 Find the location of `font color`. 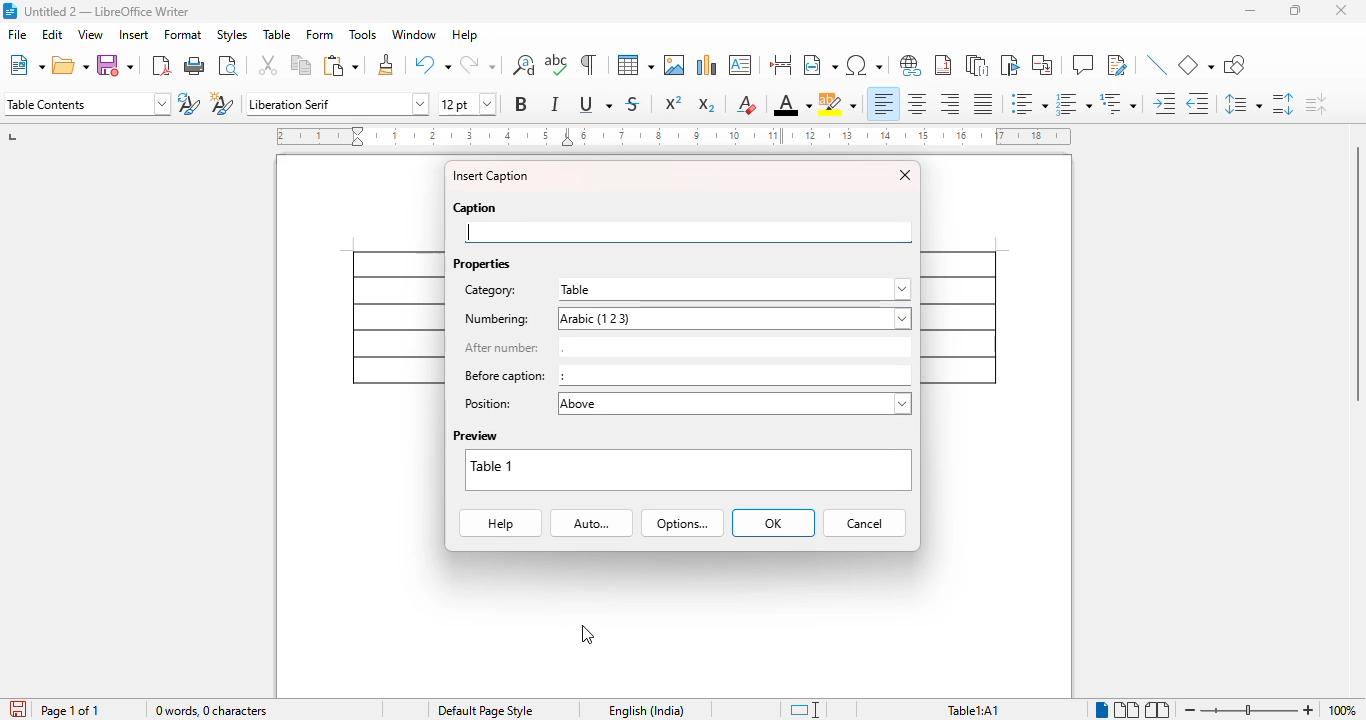

font color is located at coordinates (793, 104).